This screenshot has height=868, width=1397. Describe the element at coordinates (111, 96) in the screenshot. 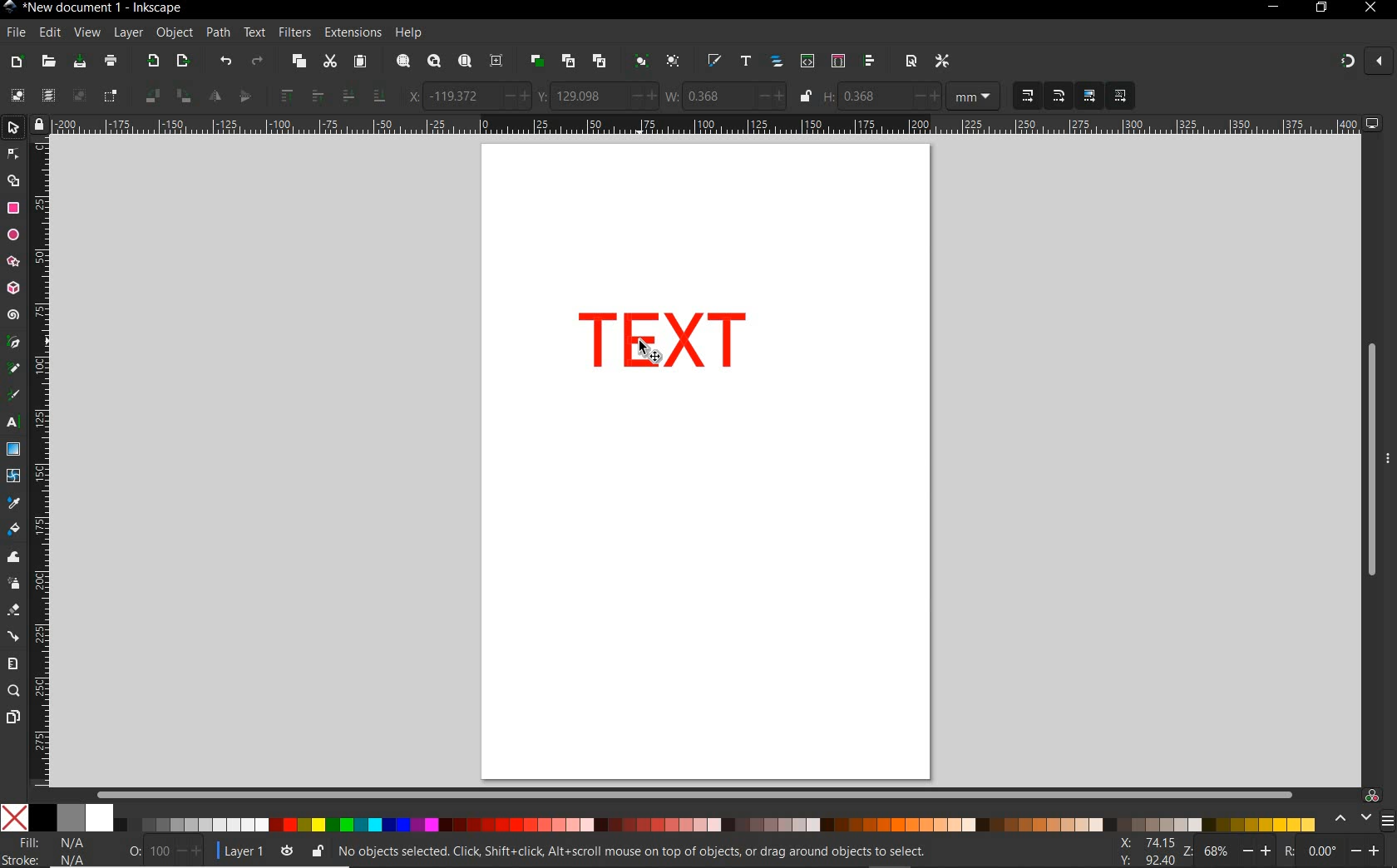

I see `TOGGLE SELECTIONBOX` at that location.